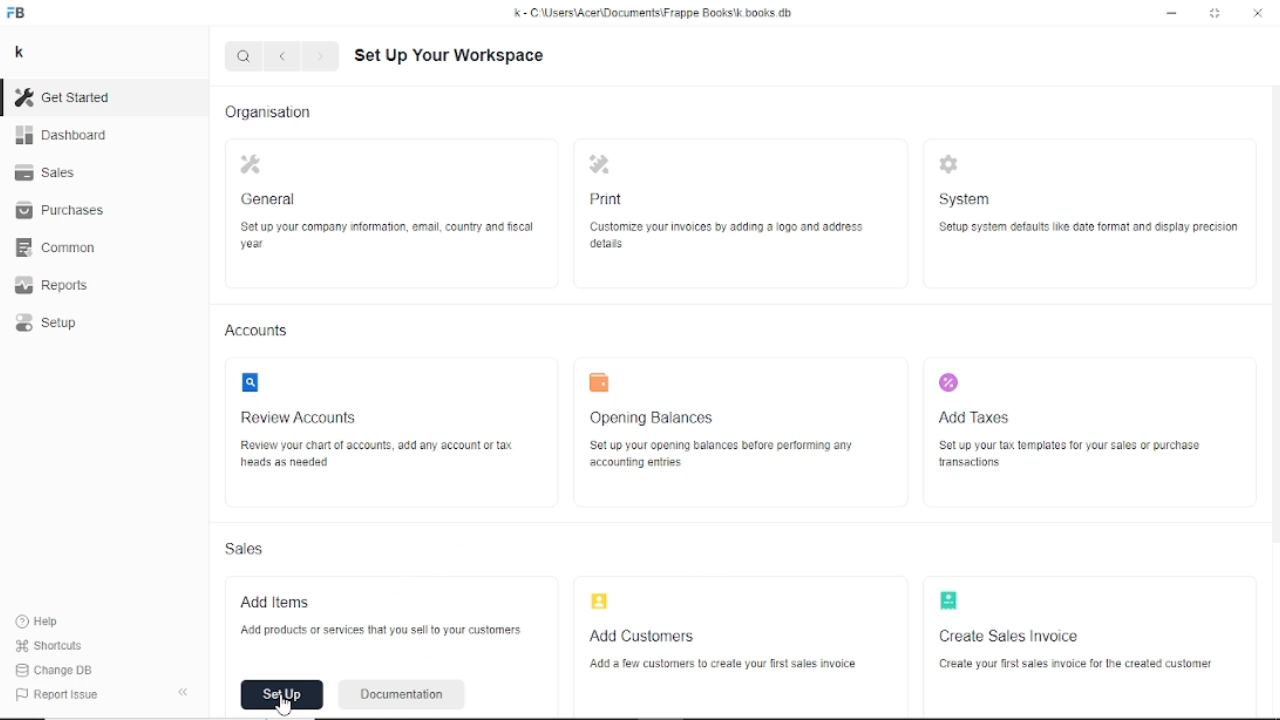  Describe the element at coordinates (375, 428) in the screenshot. I see `Review Accounts Review your chart of accounts, add any account or tax heads as needed.` at that location.